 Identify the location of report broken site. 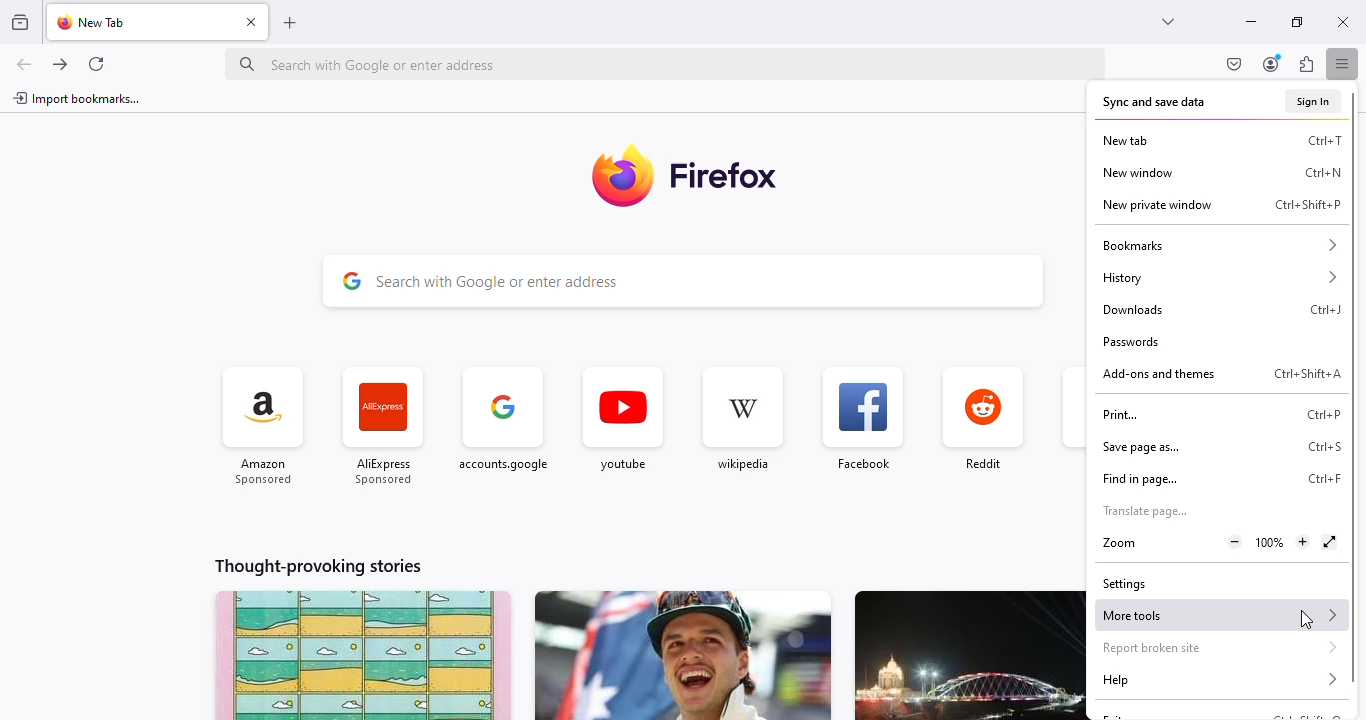
(1219, 647).